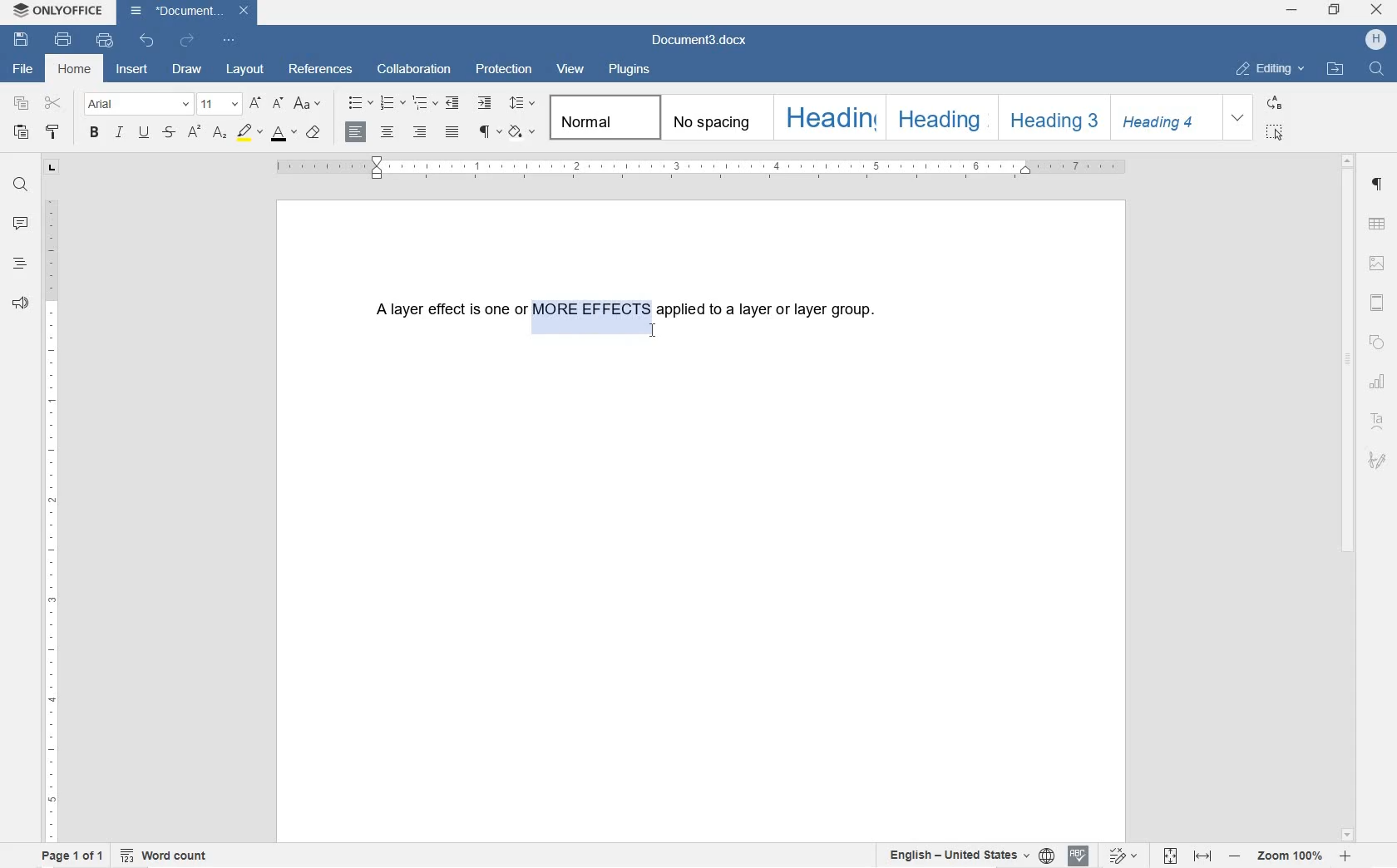  I want to click on LAYOUT, so click(245, 68).